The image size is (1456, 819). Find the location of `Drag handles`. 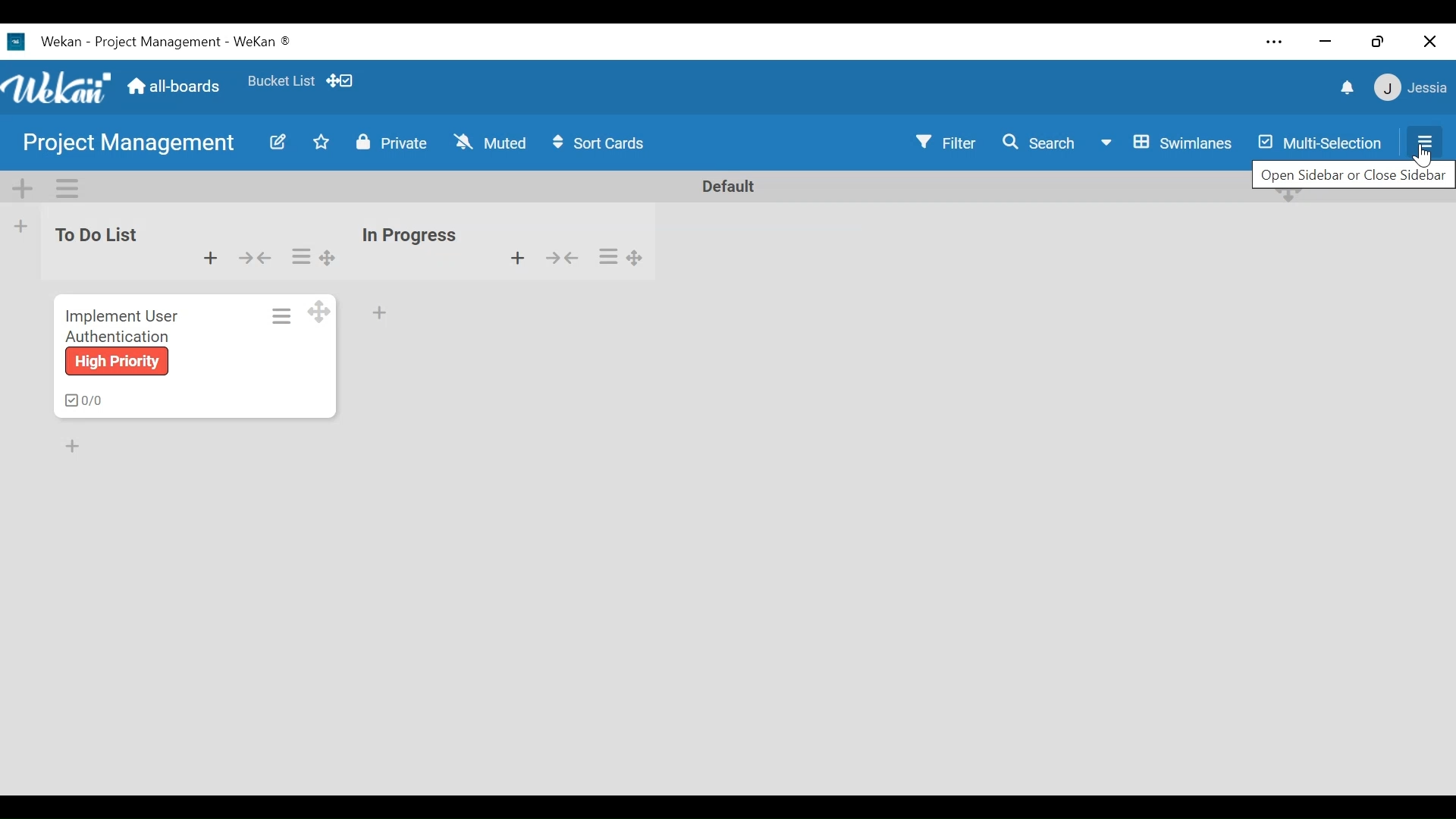

Drag handles is located at coordinates (330, 257).